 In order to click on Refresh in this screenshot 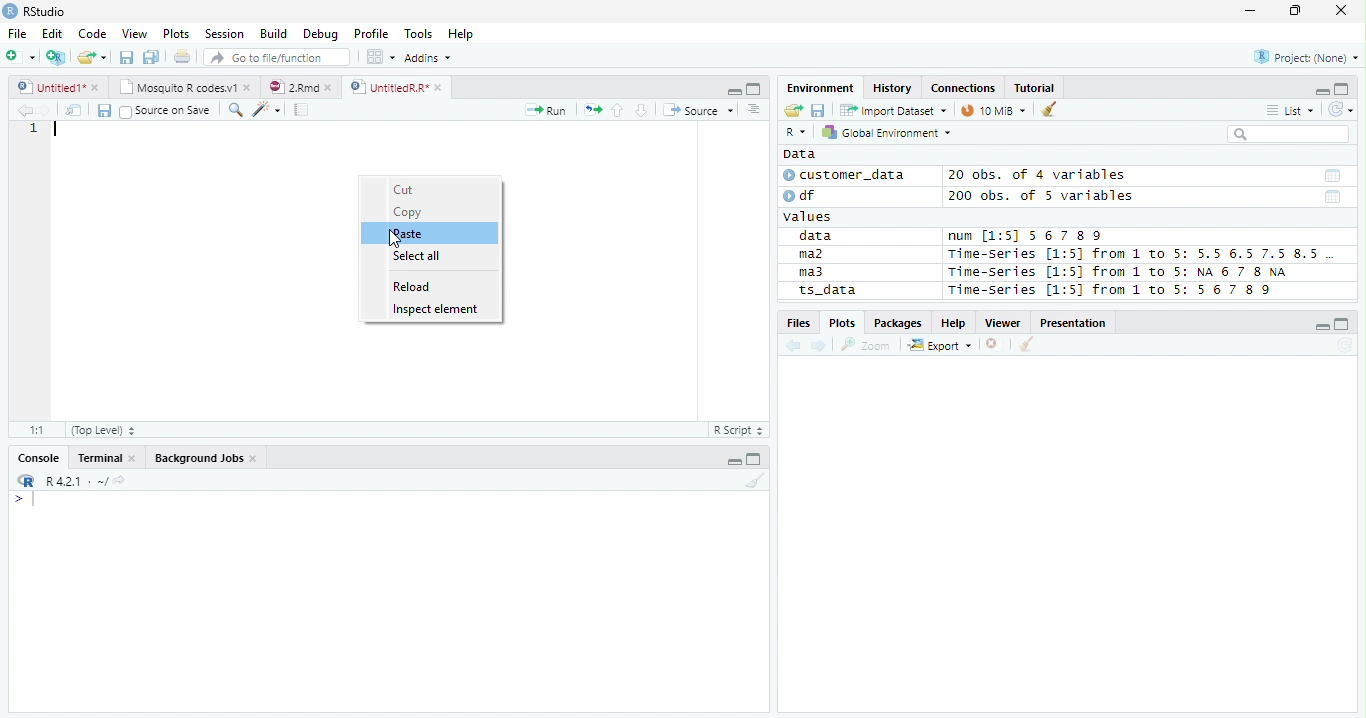, I will do `click(1345, 346)`.